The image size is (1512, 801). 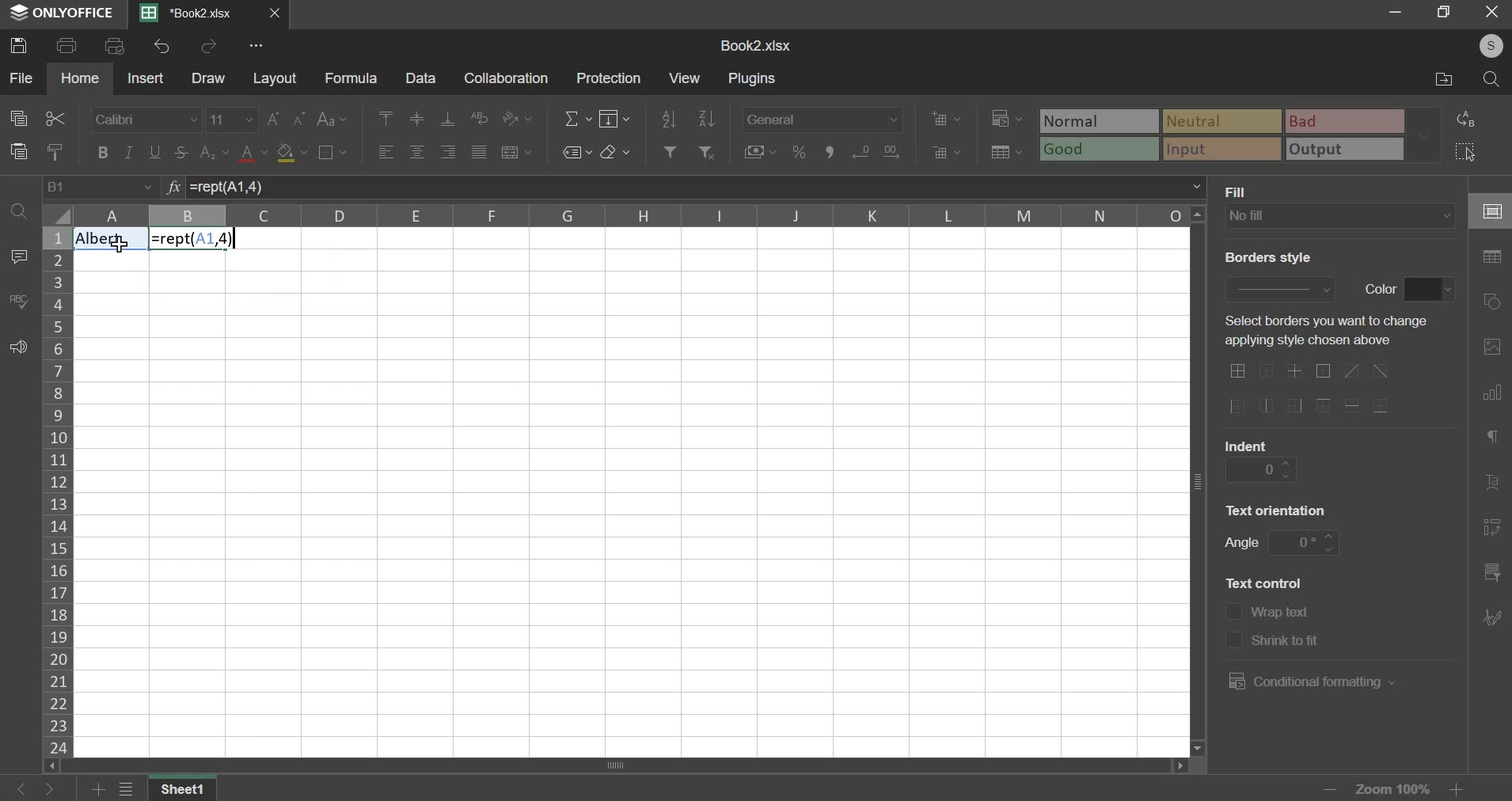 I want to click on image settings, so click(x=1495, y=344).